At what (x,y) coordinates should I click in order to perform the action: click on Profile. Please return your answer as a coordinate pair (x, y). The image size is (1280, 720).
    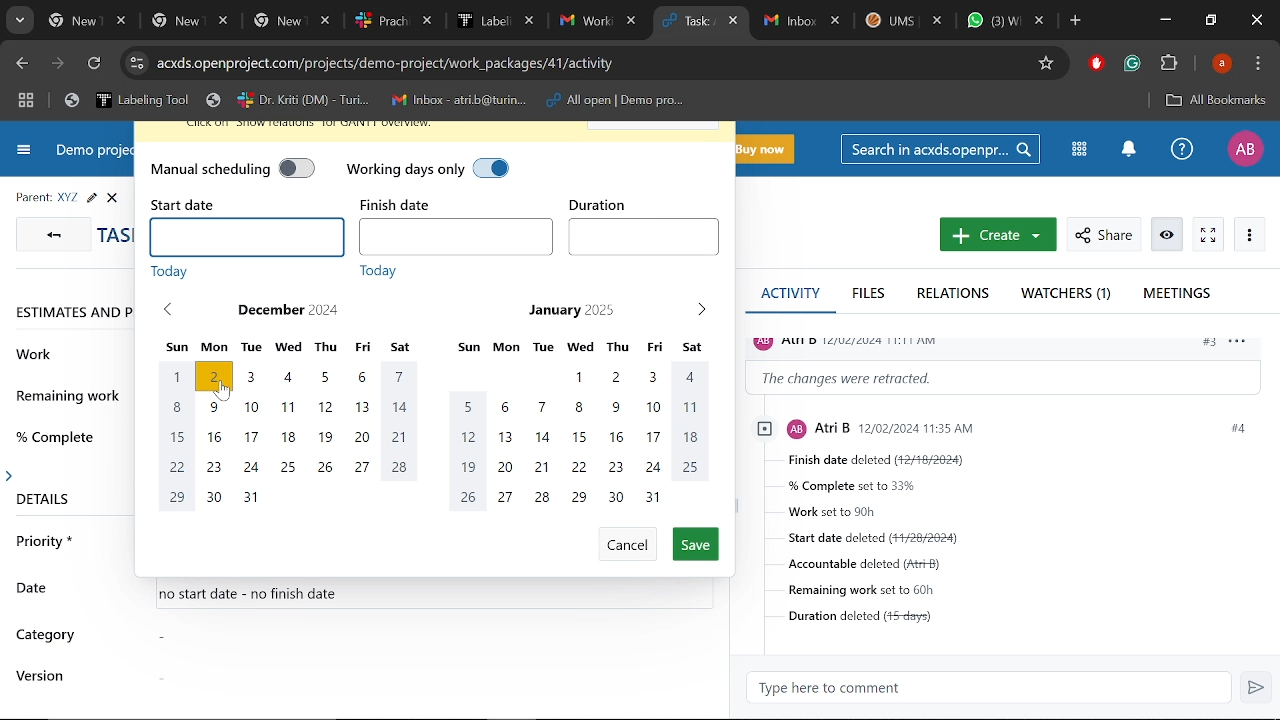
    Looking at the image, I should click on (1224, 63).